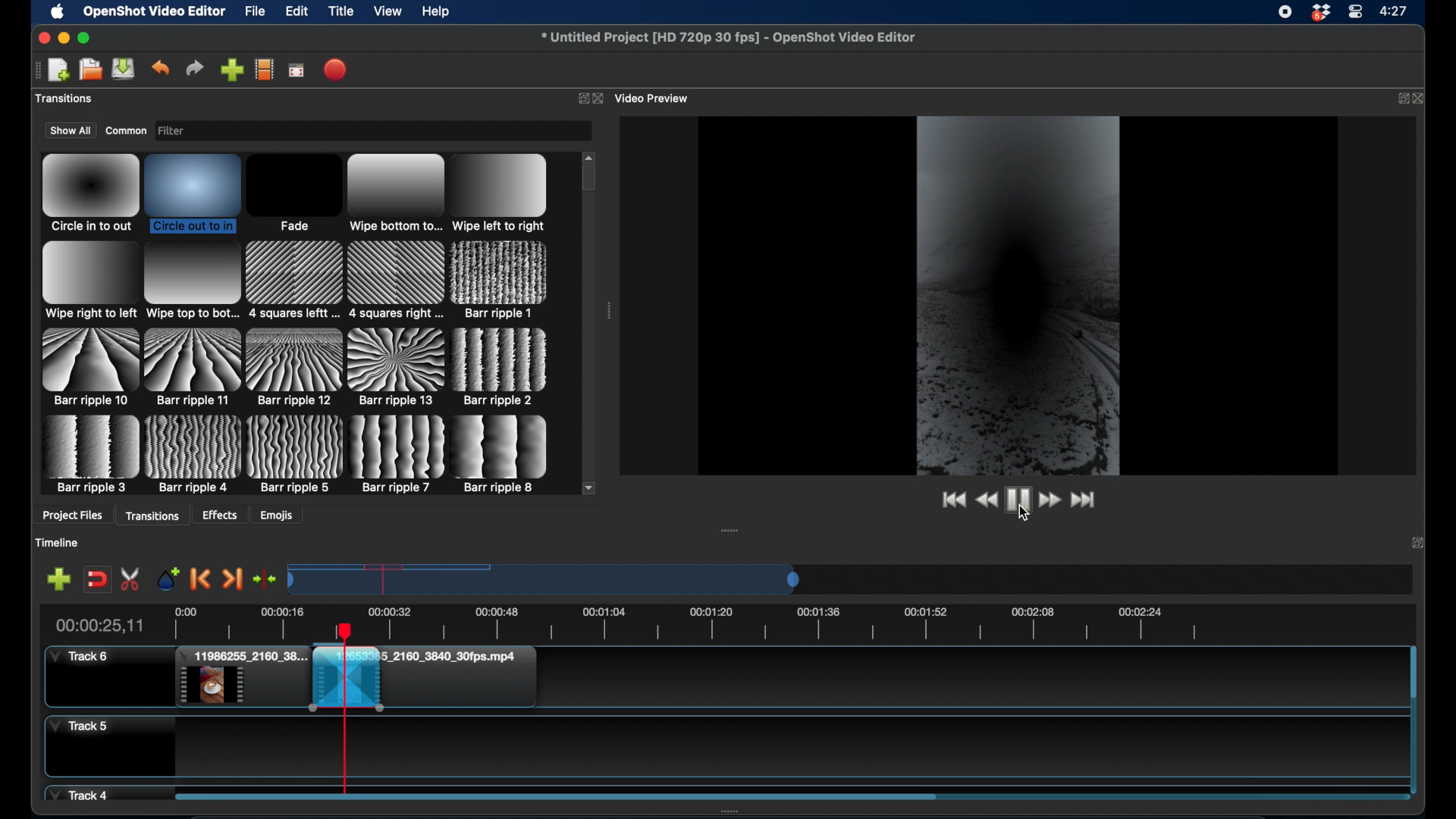 This screenshot has height=819, width=1456. What do you see at coordinates (41, 37) in the screenshot?
I see `close` at bounding box center [41, 37].